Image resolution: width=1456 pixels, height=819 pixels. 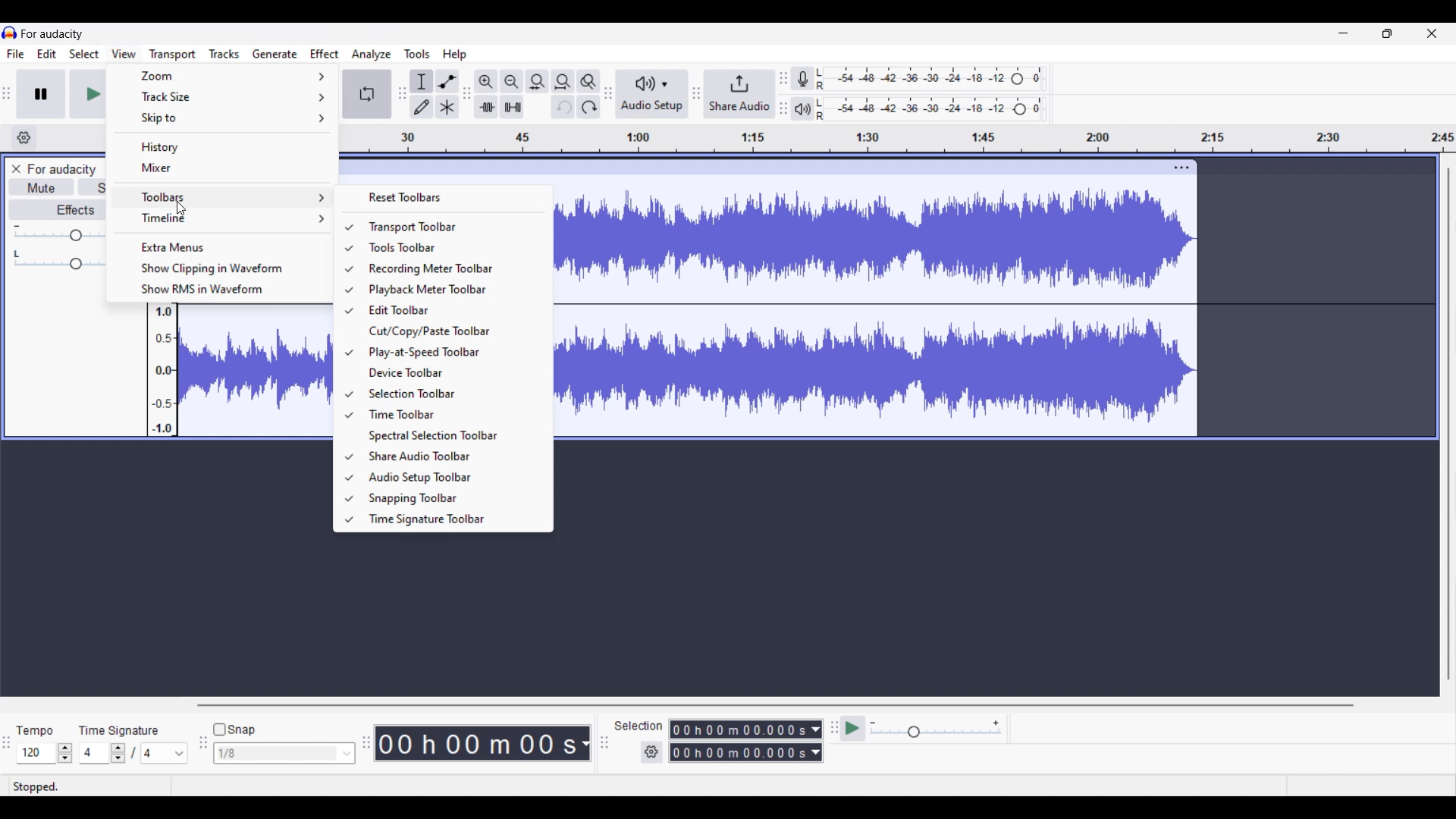 I want to click on Duration measurement options, so click(x=817, y=740).